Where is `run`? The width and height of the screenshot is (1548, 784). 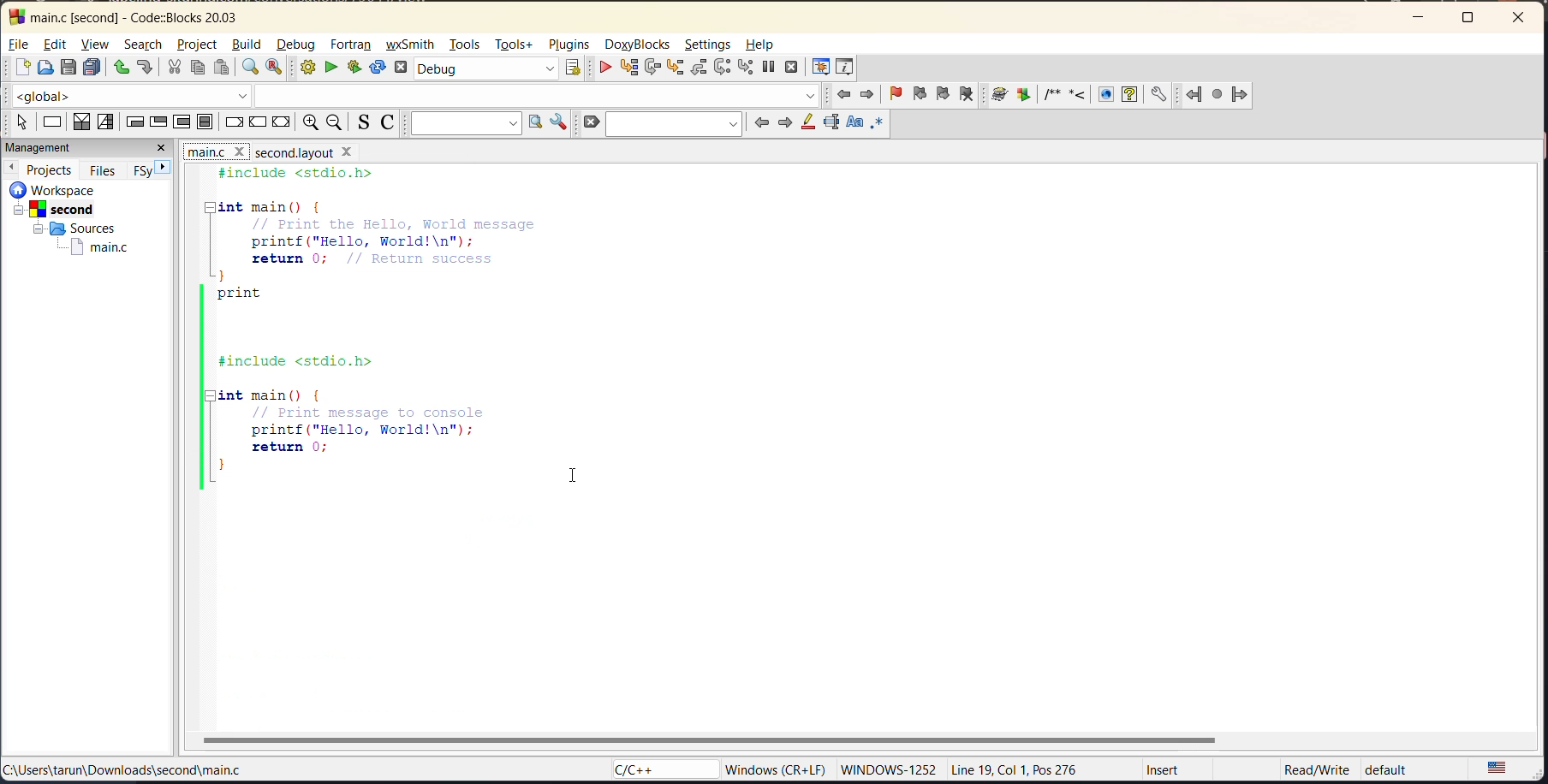
run is located at coordinates (330, 68).